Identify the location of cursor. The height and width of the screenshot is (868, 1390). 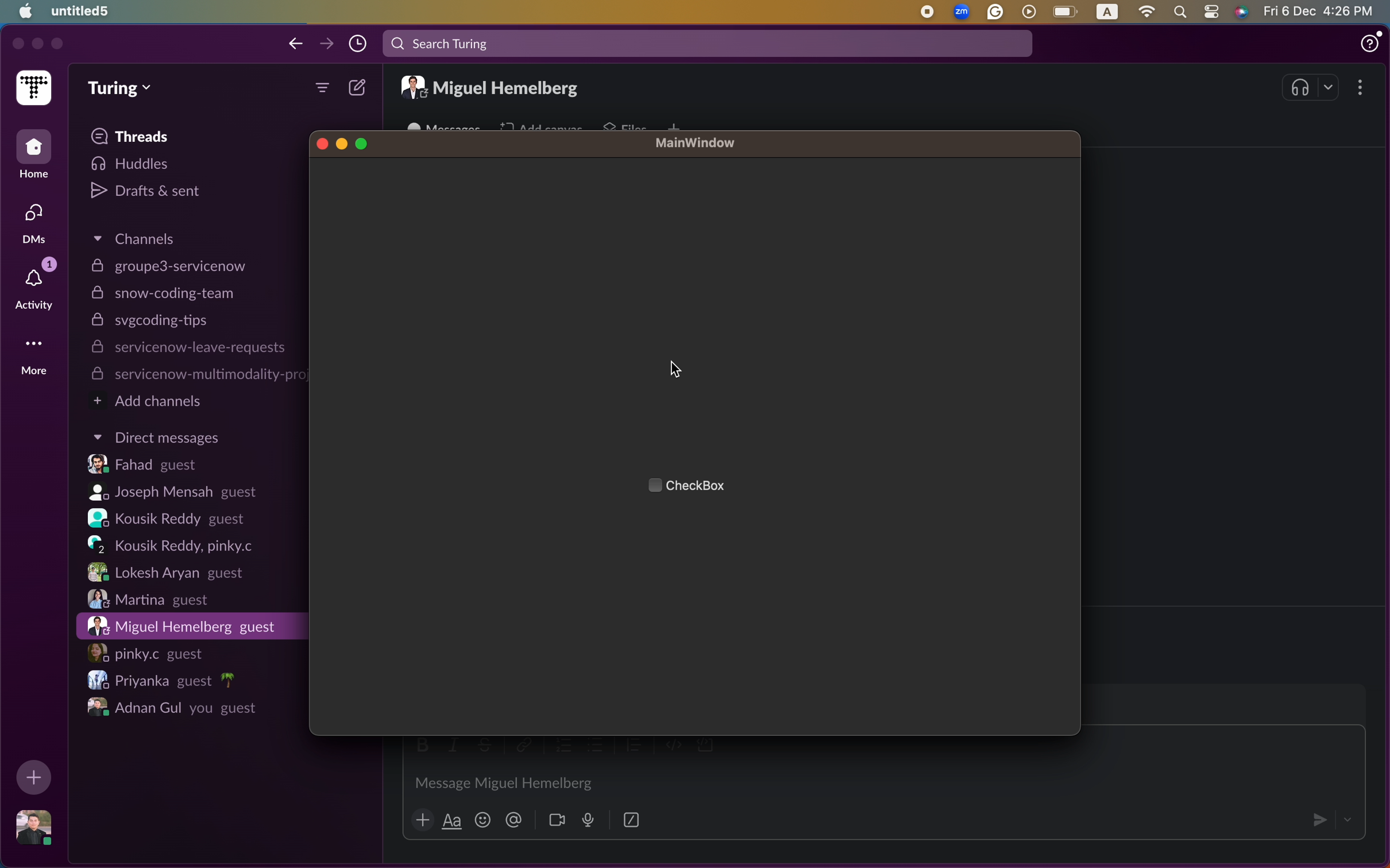
(675, 371).